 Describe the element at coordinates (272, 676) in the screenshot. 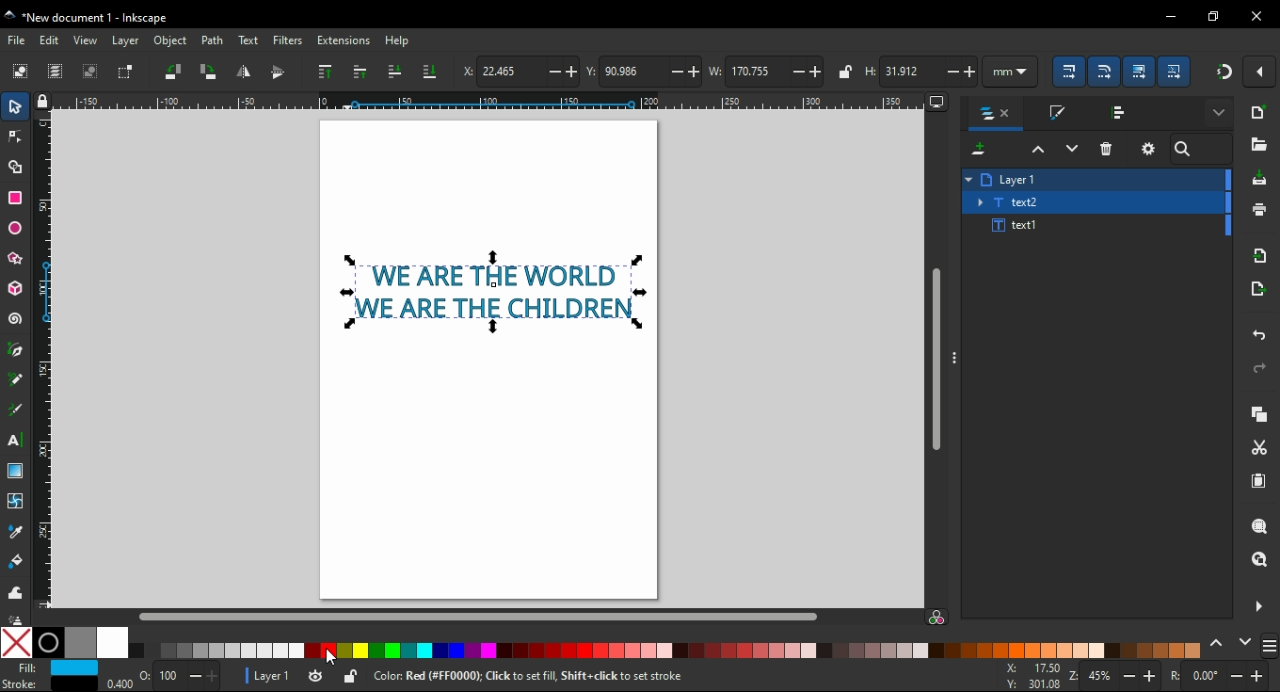

I see `layer 1` at that location.